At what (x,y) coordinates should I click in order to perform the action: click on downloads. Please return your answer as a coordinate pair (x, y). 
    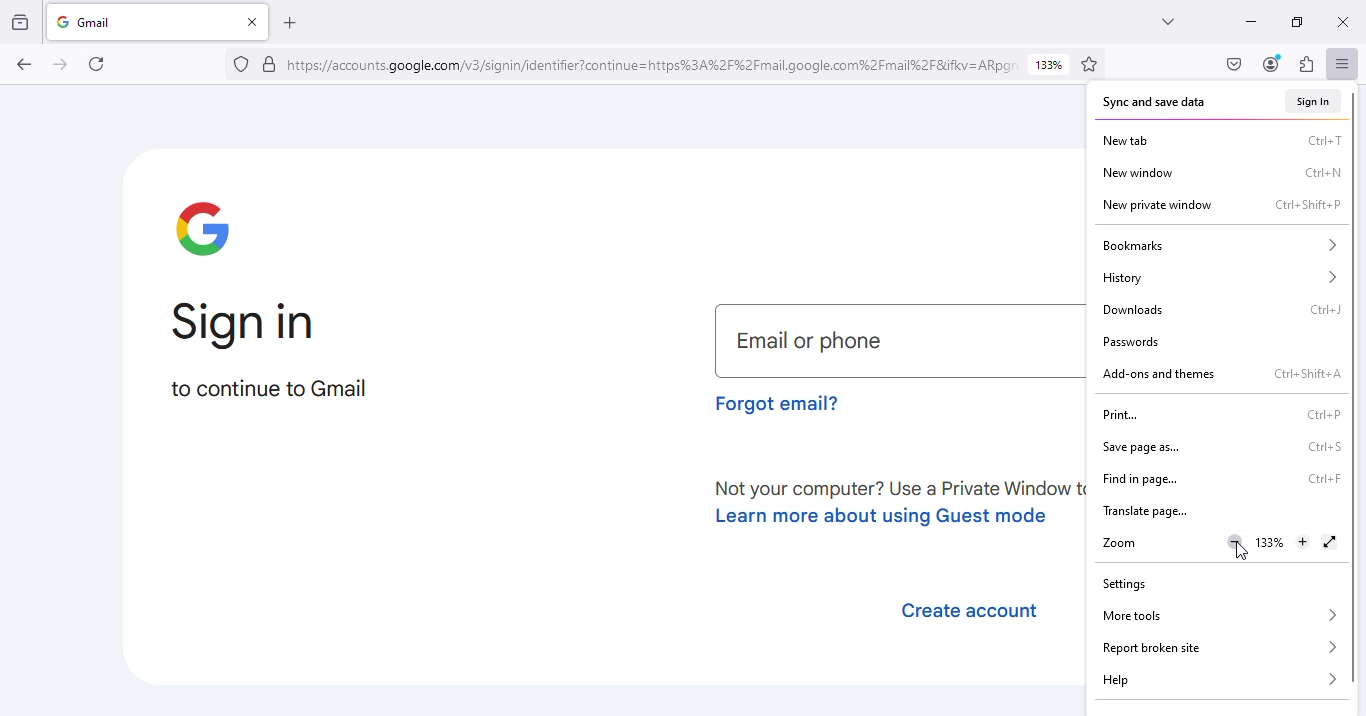
    Looking at the image, I should click on (1131, 310).